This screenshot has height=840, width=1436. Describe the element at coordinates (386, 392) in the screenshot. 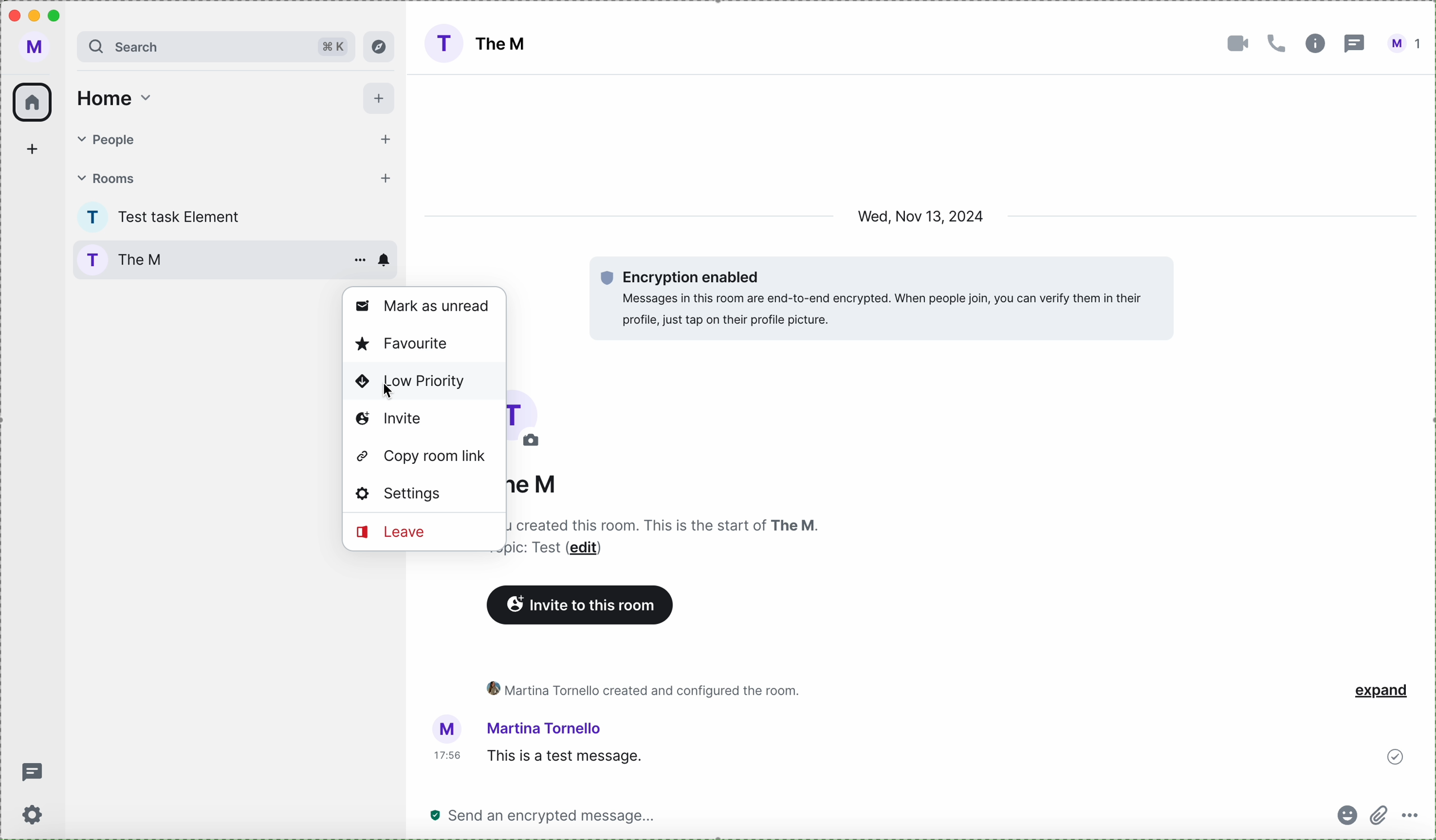

I see `cursor` at that location.